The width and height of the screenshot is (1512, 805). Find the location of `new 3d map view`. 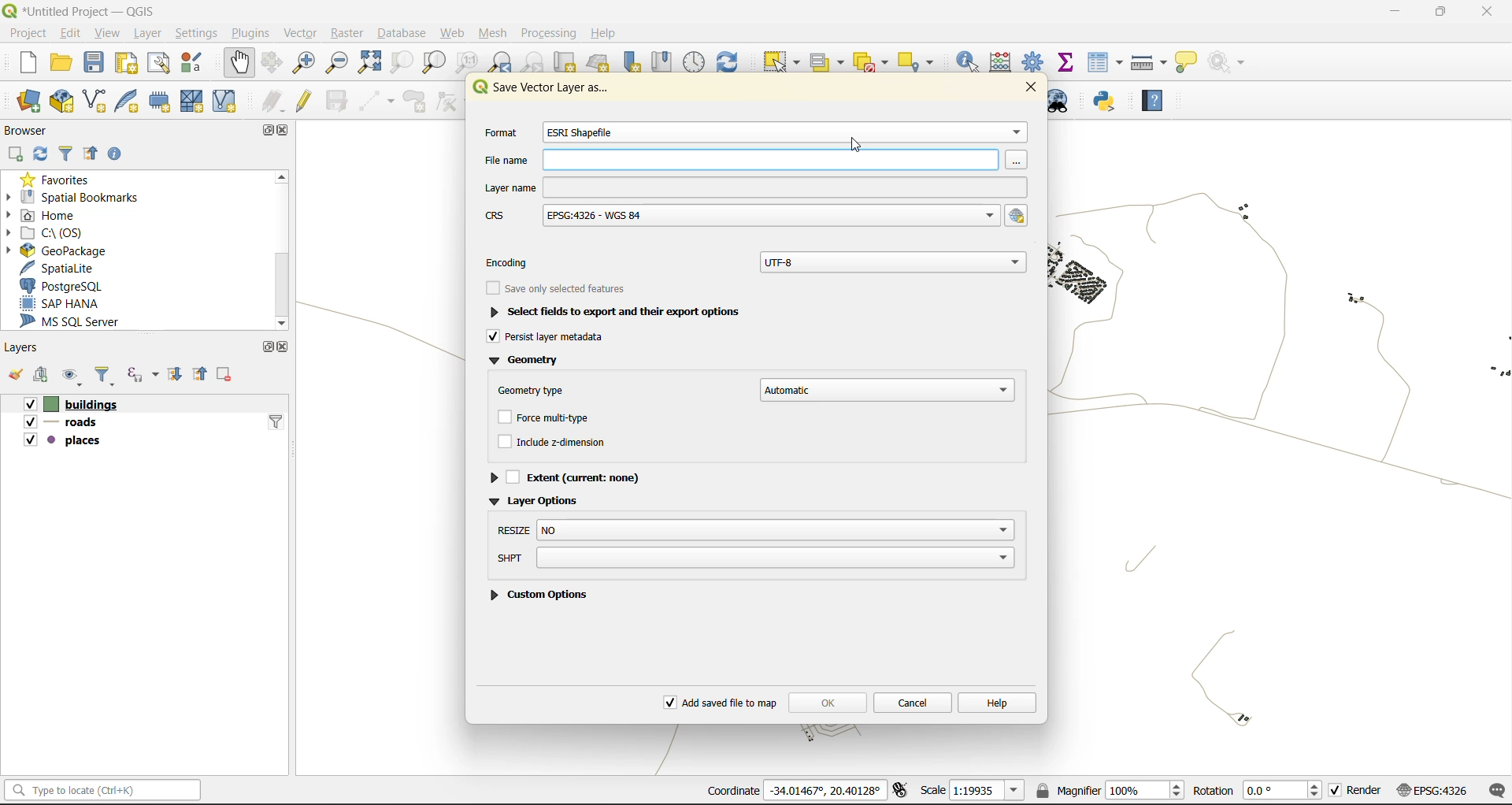

new 3d map view is located at coordinates (600, 65).